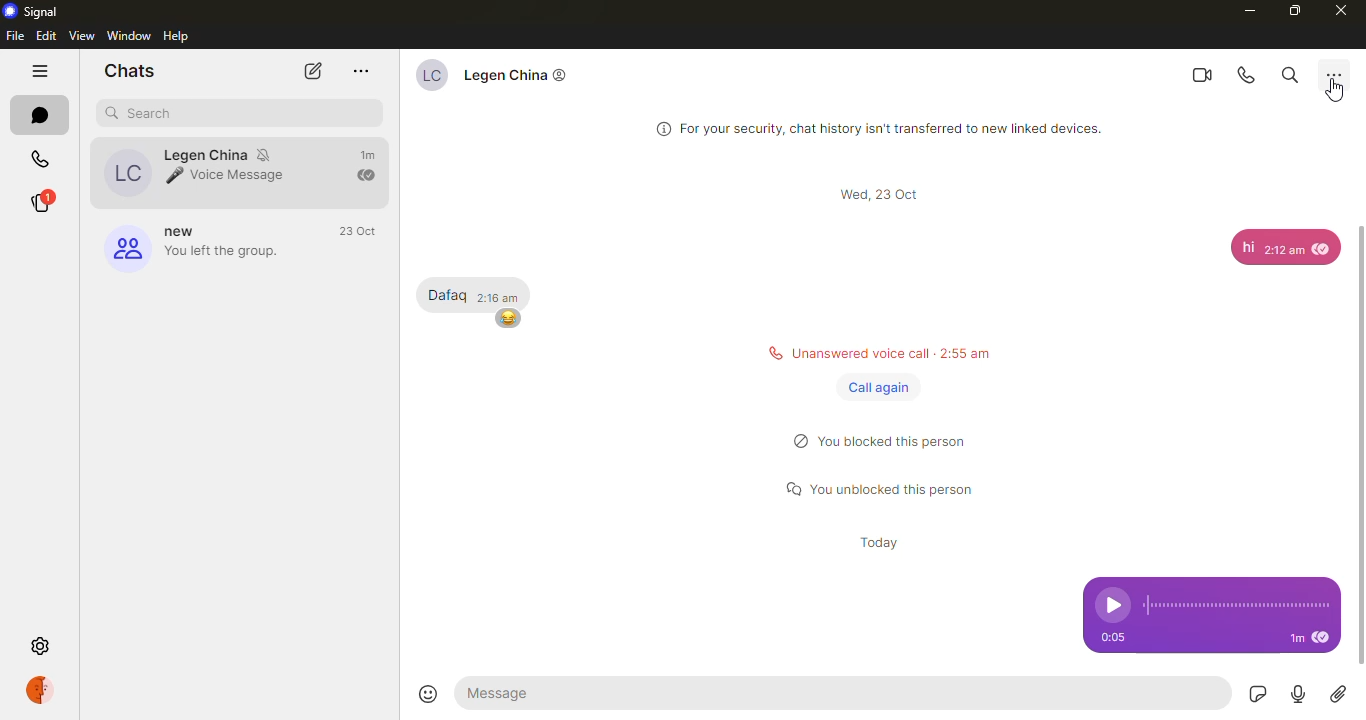 The height and width of the screenshot is (720, 1366). Describe the element at coordinates (202, 172) in the screenshot. I see `contact` at that location.